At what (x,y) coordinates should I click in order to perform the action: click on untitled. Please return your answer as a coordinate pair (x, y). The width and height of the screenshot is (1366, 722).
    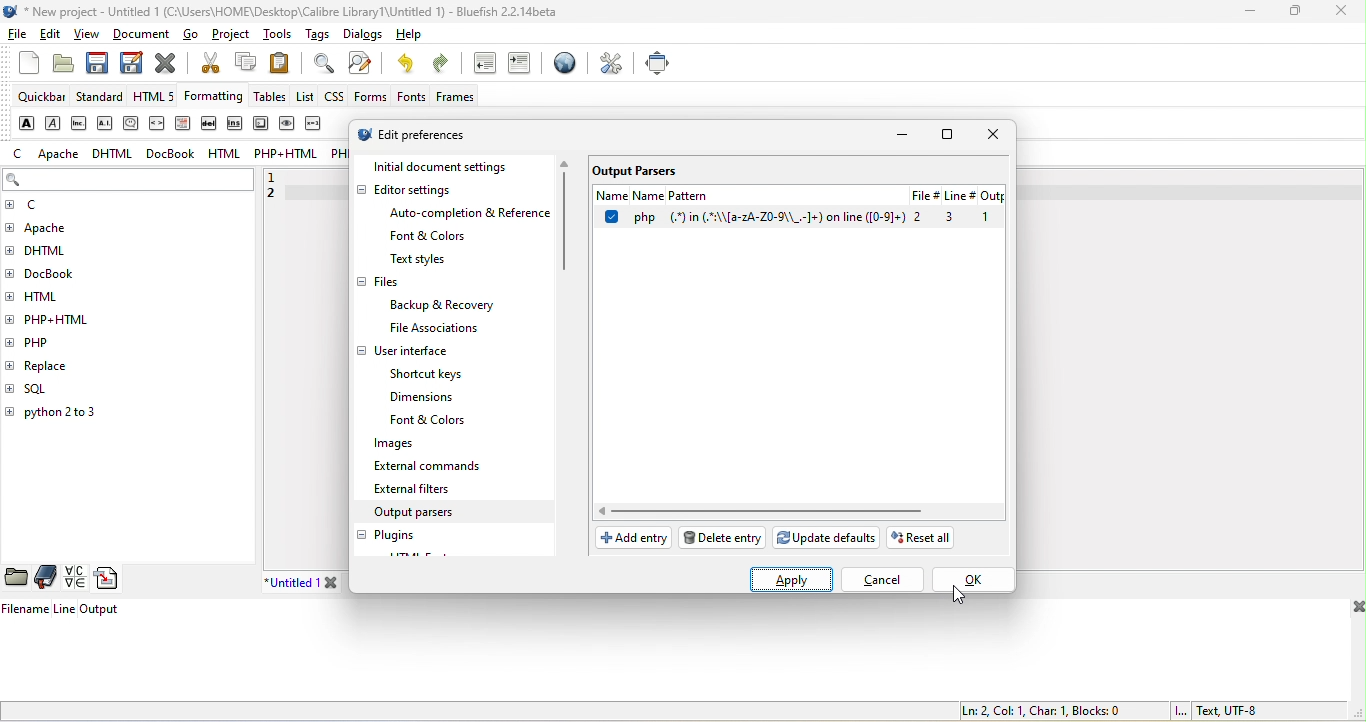
    Looking at the image, I should click on (317, 582).